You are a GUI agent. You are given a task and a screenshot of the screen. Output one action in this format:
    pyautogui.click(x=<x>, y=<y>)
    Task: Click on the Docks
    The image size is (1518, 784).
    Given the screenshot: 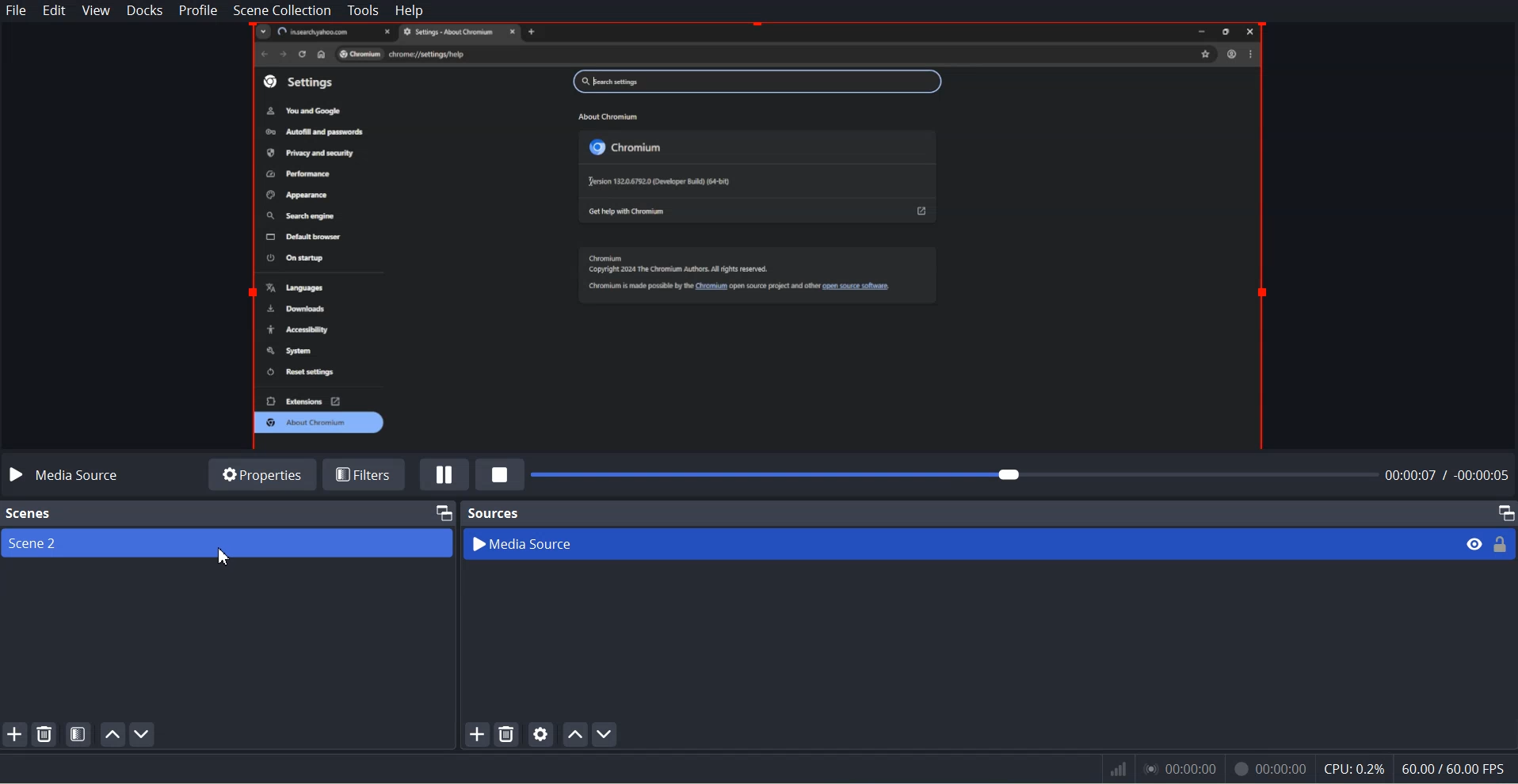 What is the action you would take?
    pyautogui.click(x=144, y=11)
    